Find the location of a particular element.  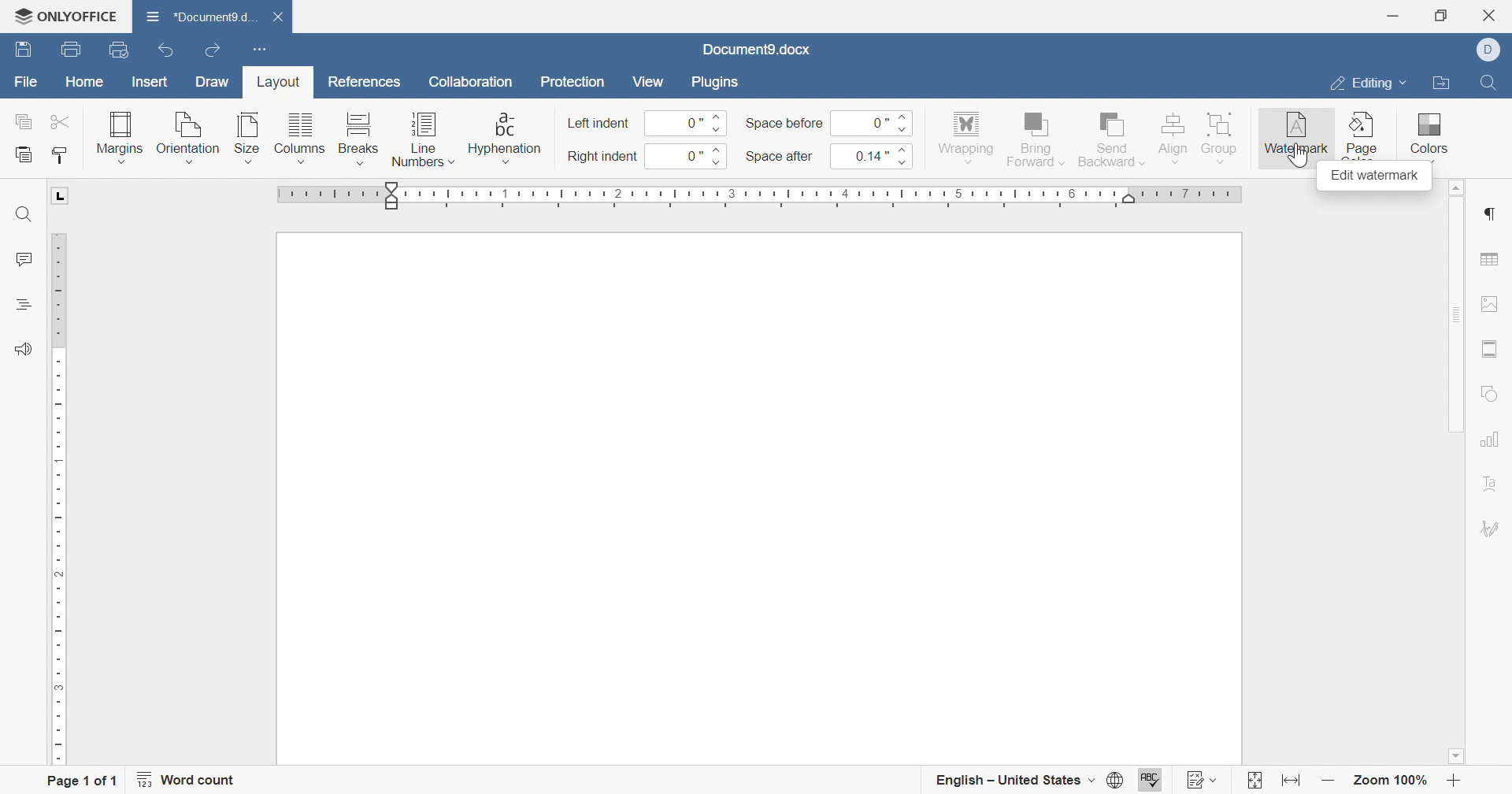

open file location is located at coordinates (1440, 84).